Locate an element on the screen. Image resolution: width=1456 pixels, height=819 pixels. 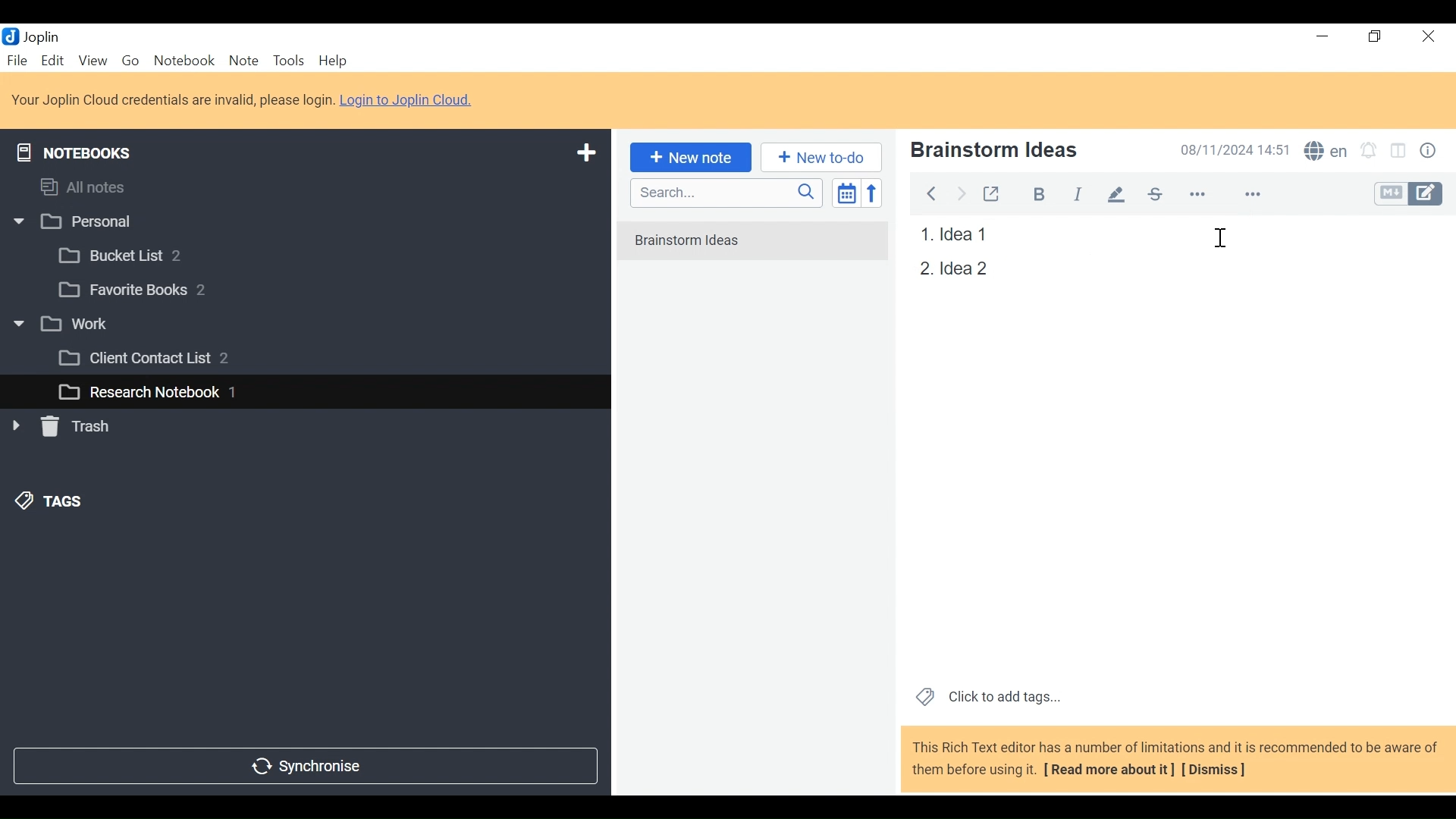
Date and Time is located at coordinates (1231, 149).